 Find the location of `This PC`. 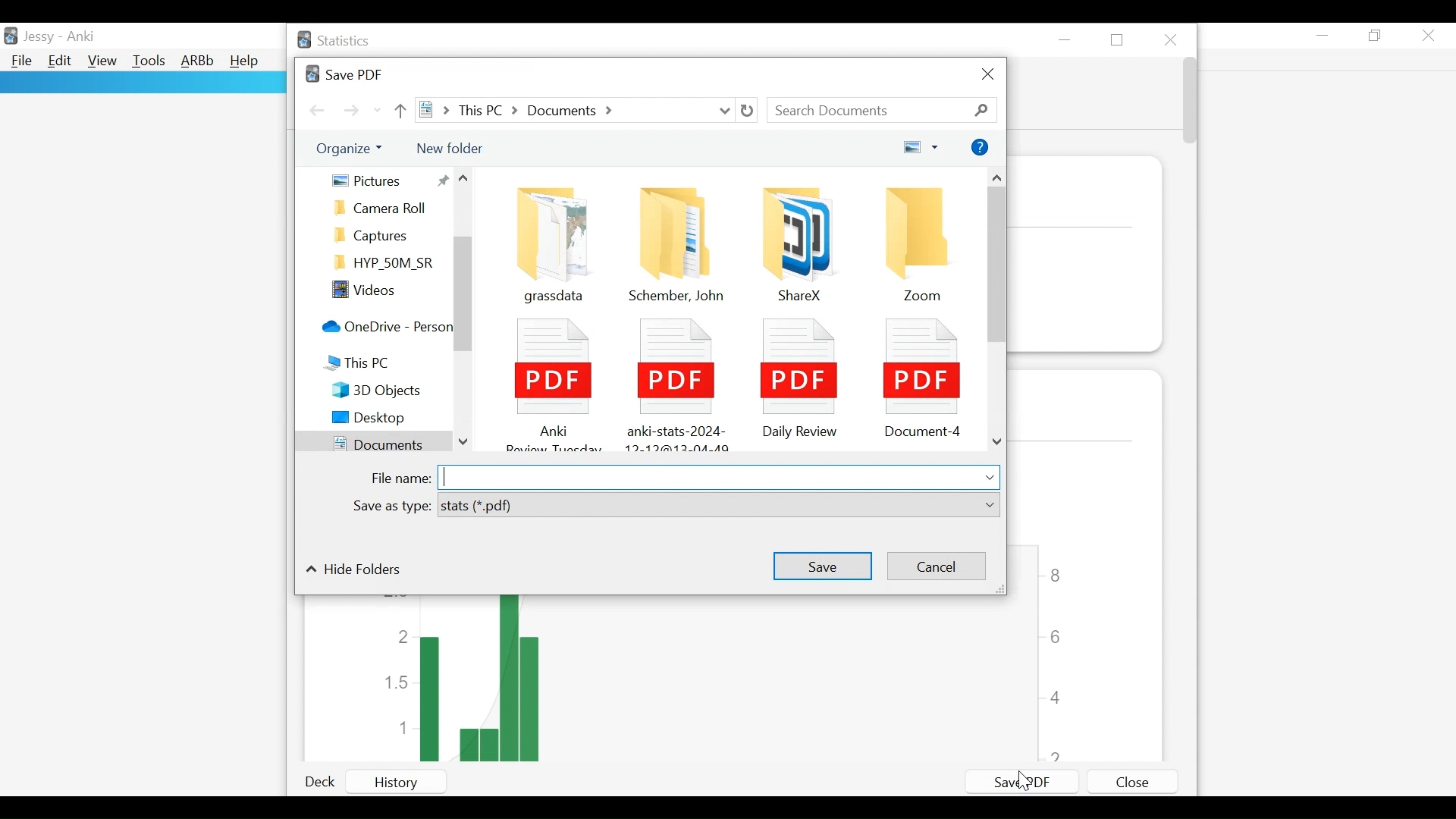

This PC is located at coordinates (374, 365).